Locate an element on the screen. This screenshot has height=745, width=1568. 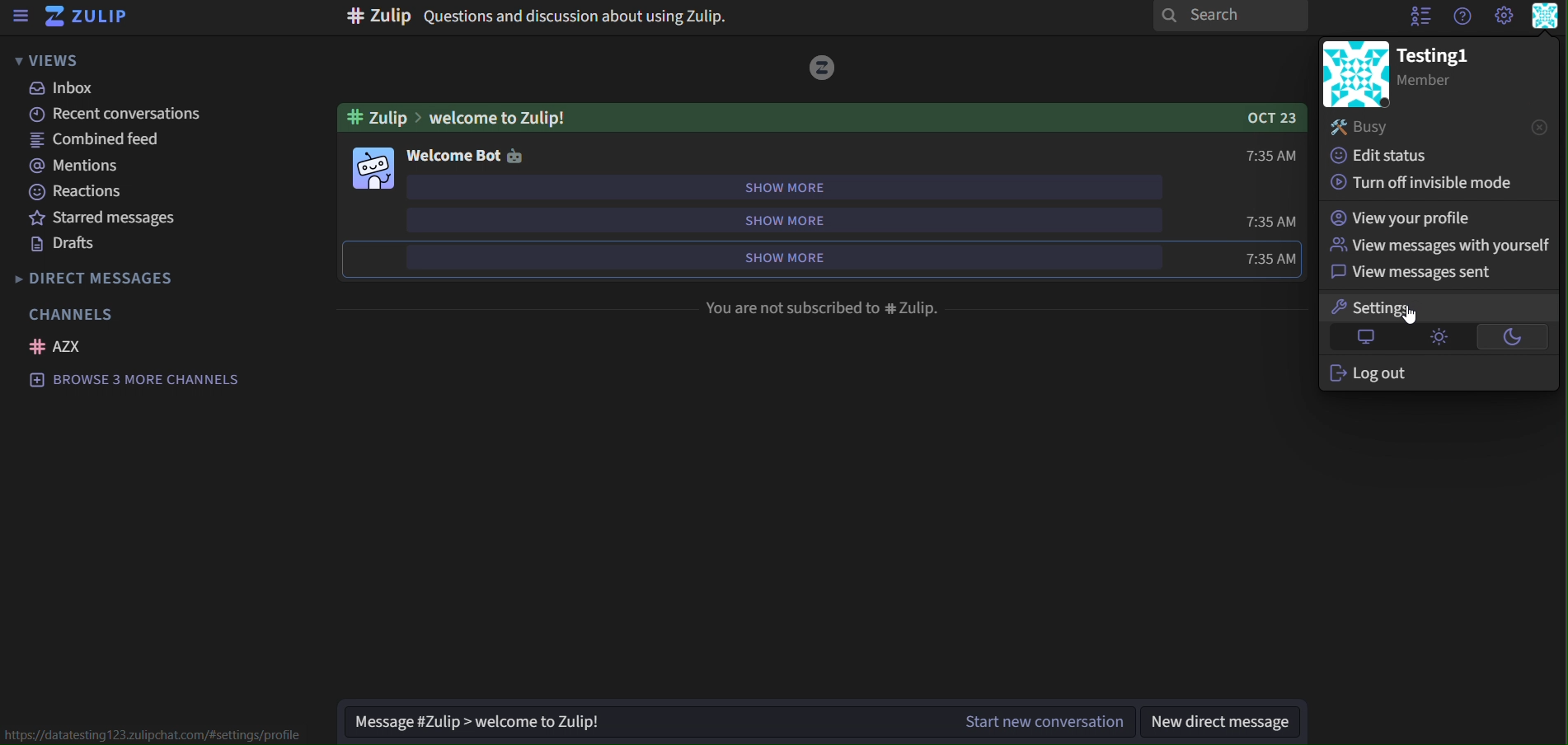
recent conversations is located at coordinates (120, 114).